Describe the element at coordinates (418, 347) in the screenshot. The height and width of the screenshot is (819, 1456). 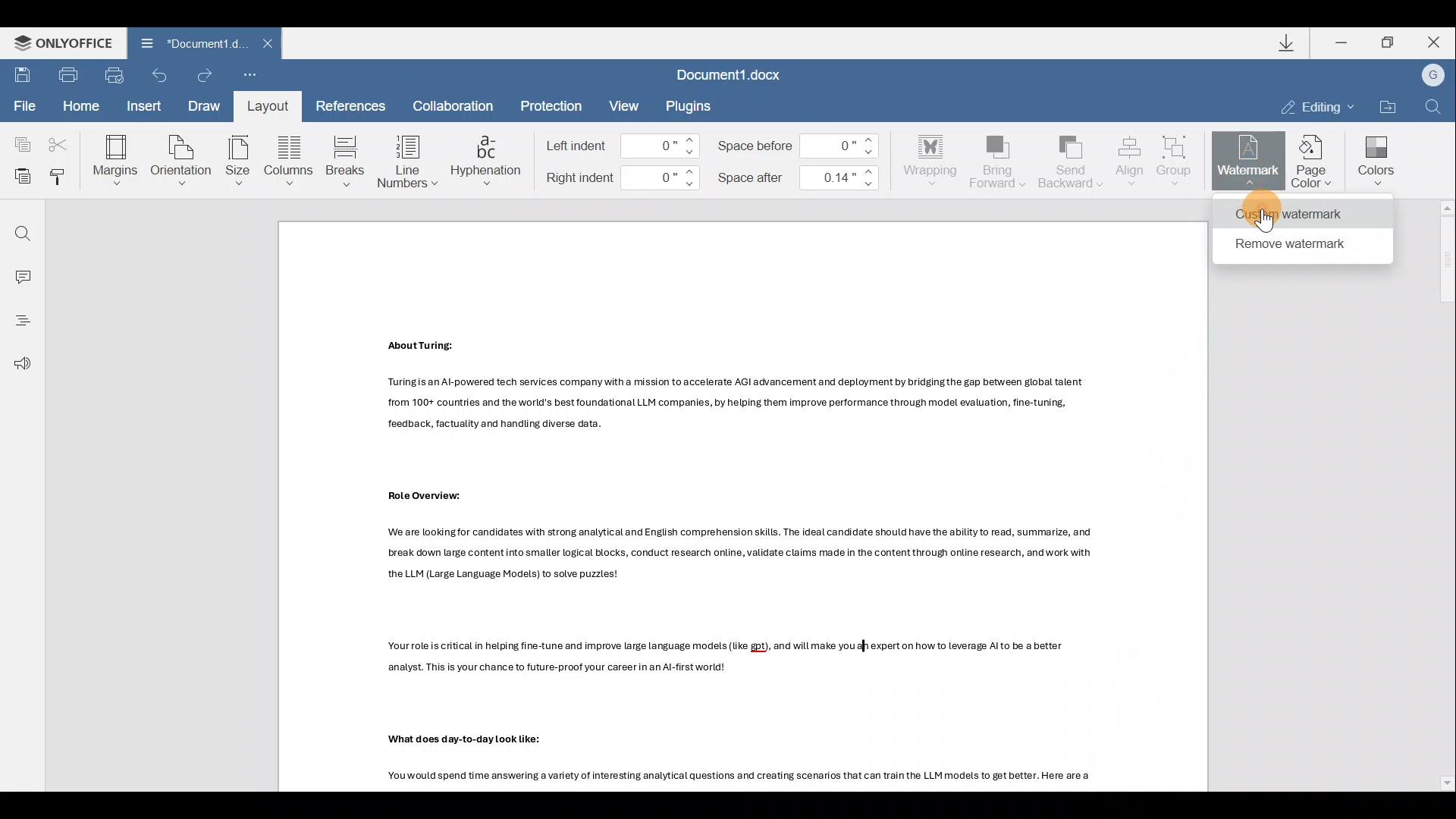
I see `` at that location.